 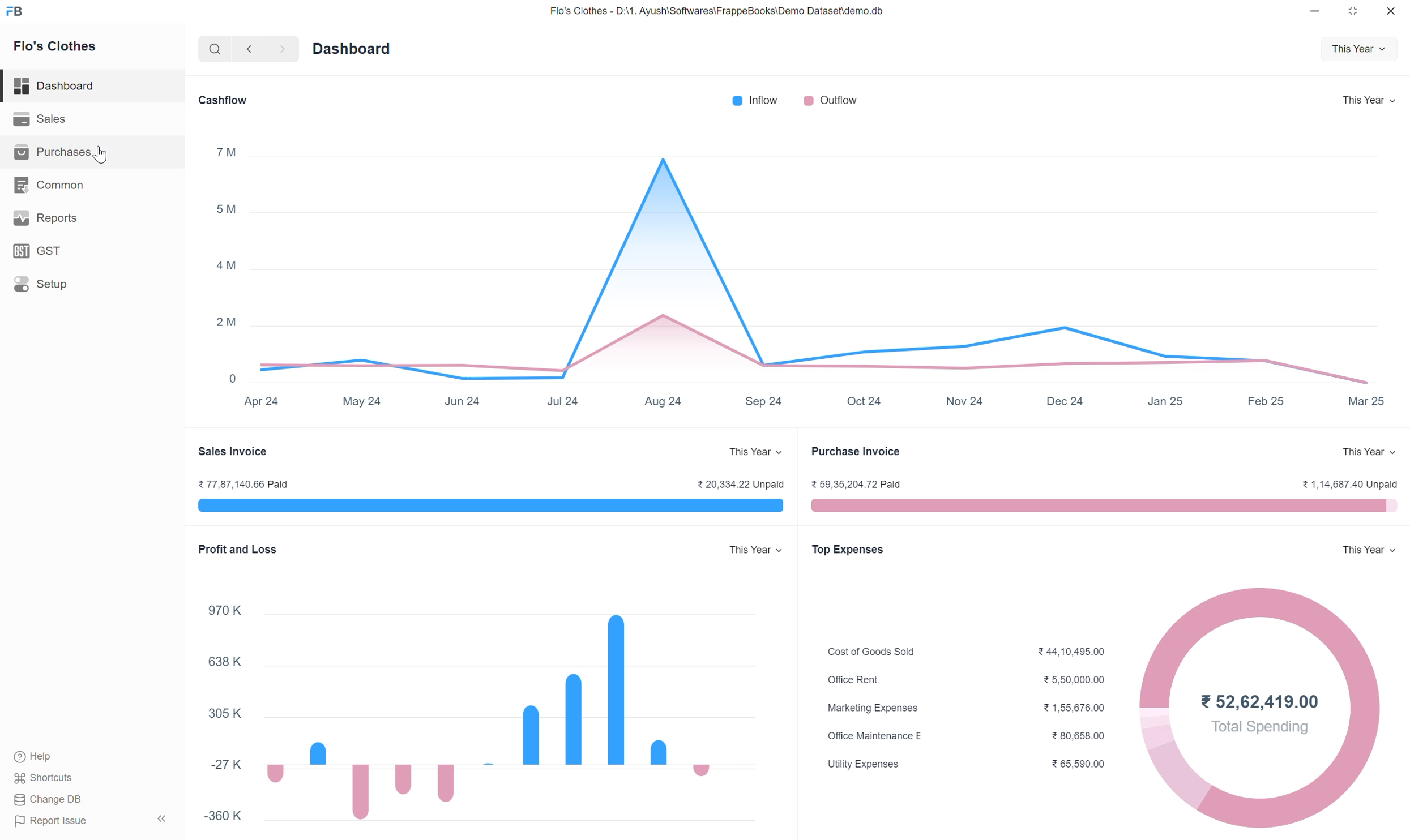 What do you see at coordinates (50, 153) in the screenshot?
I see `purchases` at bounding box center [50, 153].